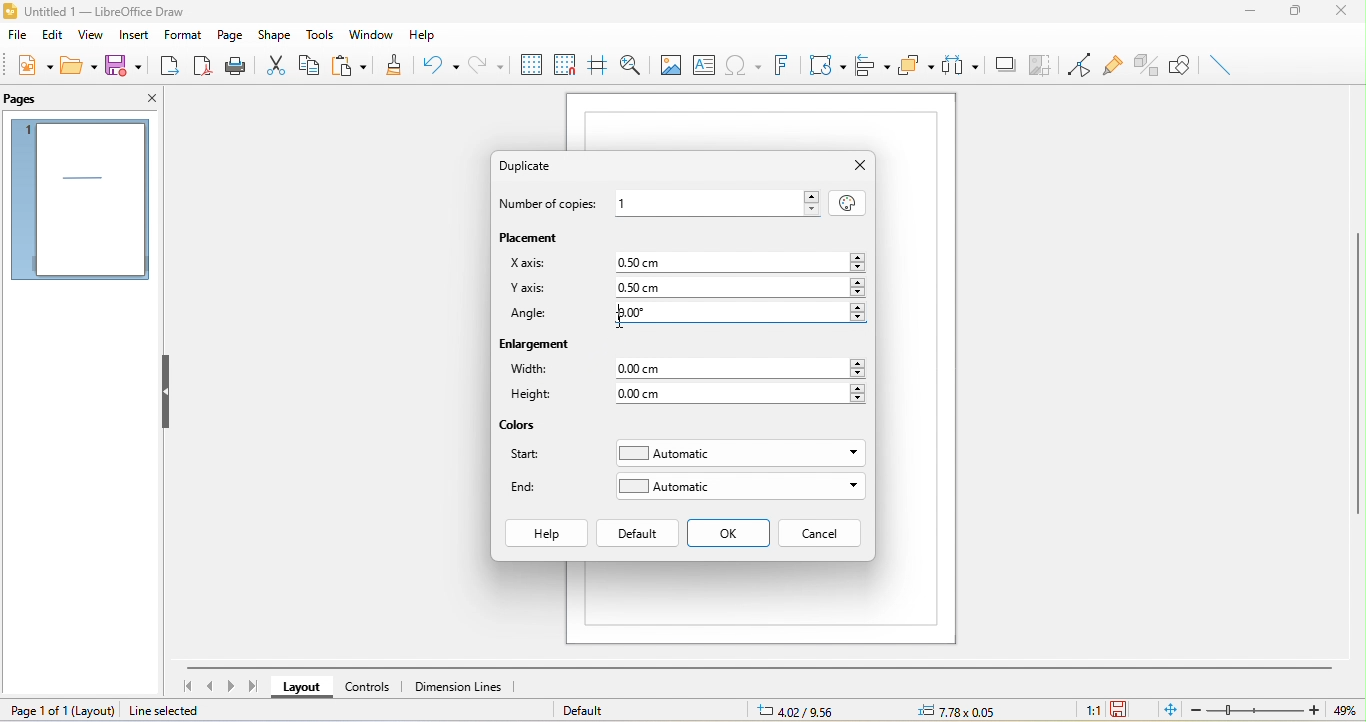  I want to click on default, so click(590, 710).